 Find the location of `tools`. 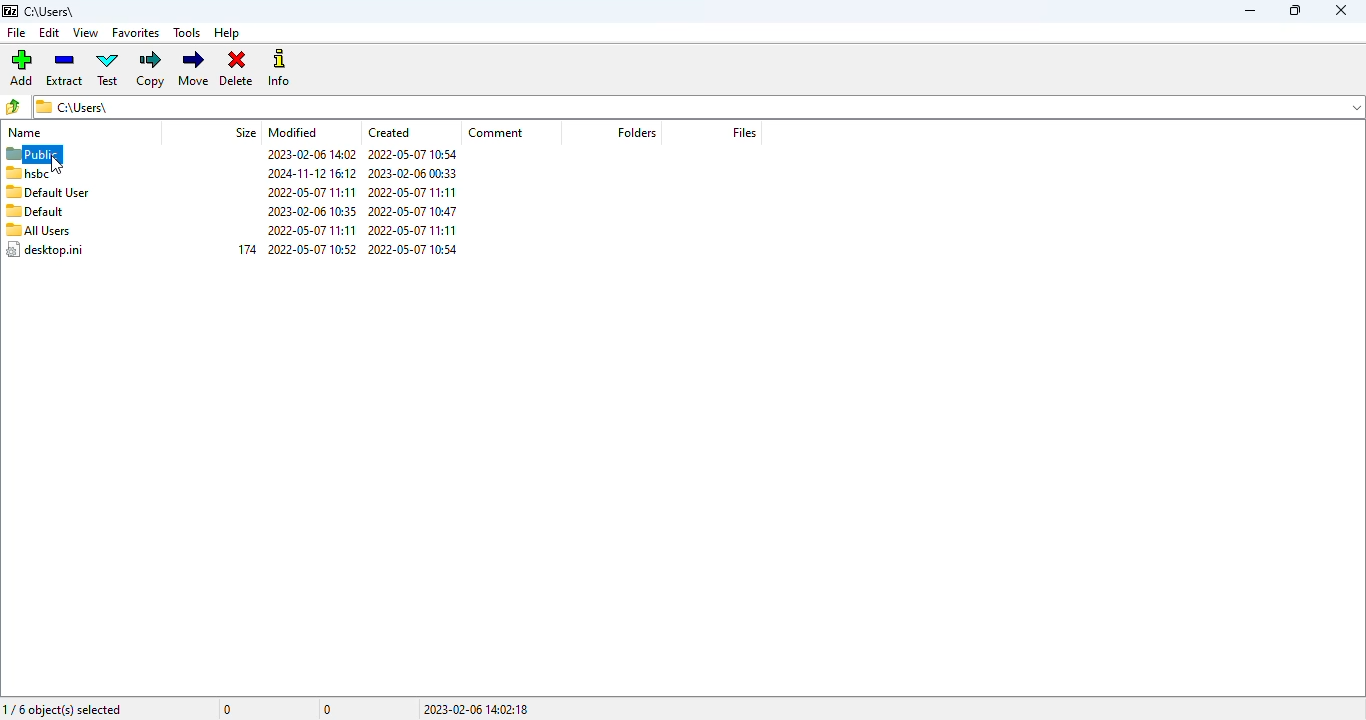

tools is located at coordinates (188, 32).